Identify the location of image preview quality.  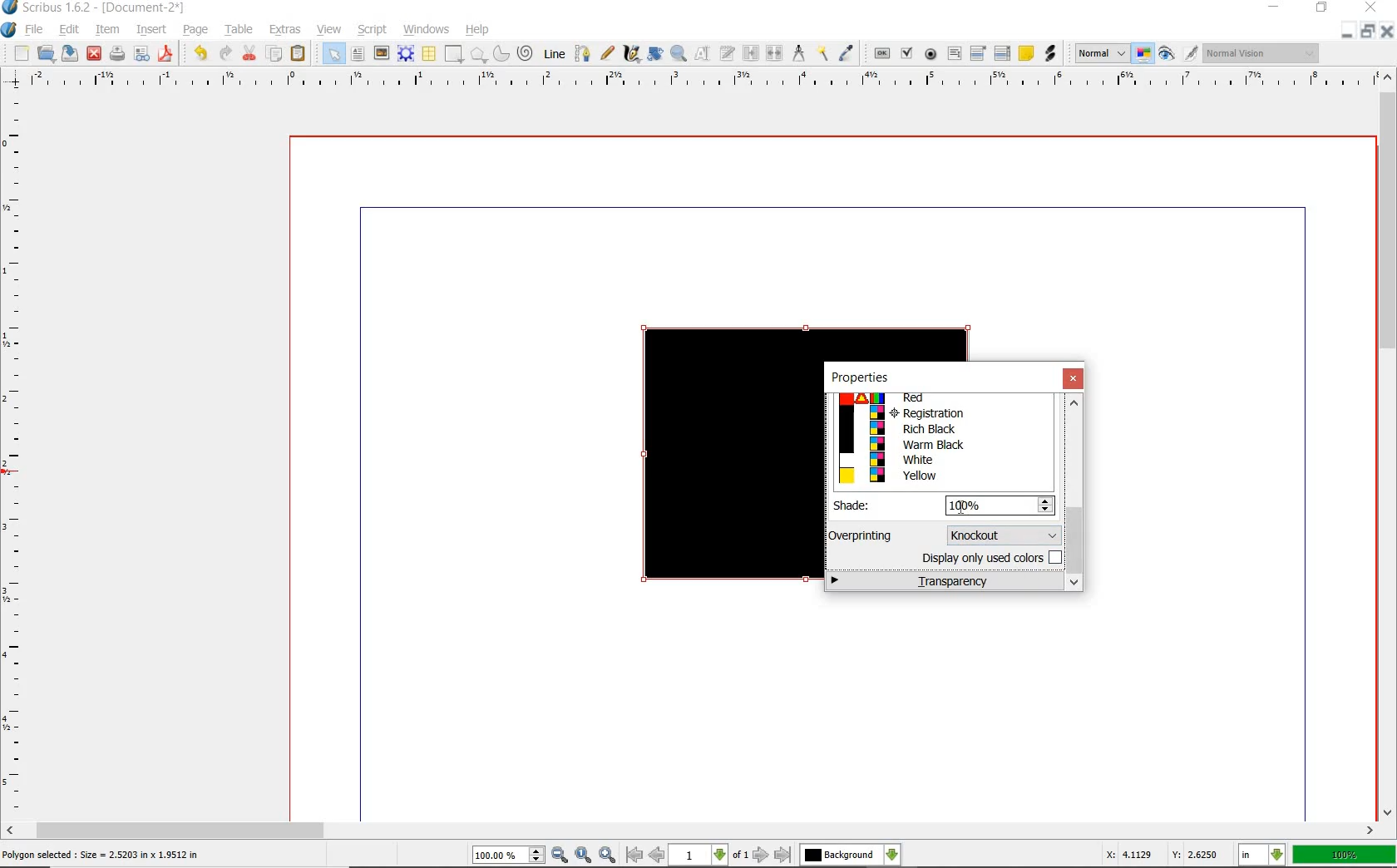
(1101, 54).